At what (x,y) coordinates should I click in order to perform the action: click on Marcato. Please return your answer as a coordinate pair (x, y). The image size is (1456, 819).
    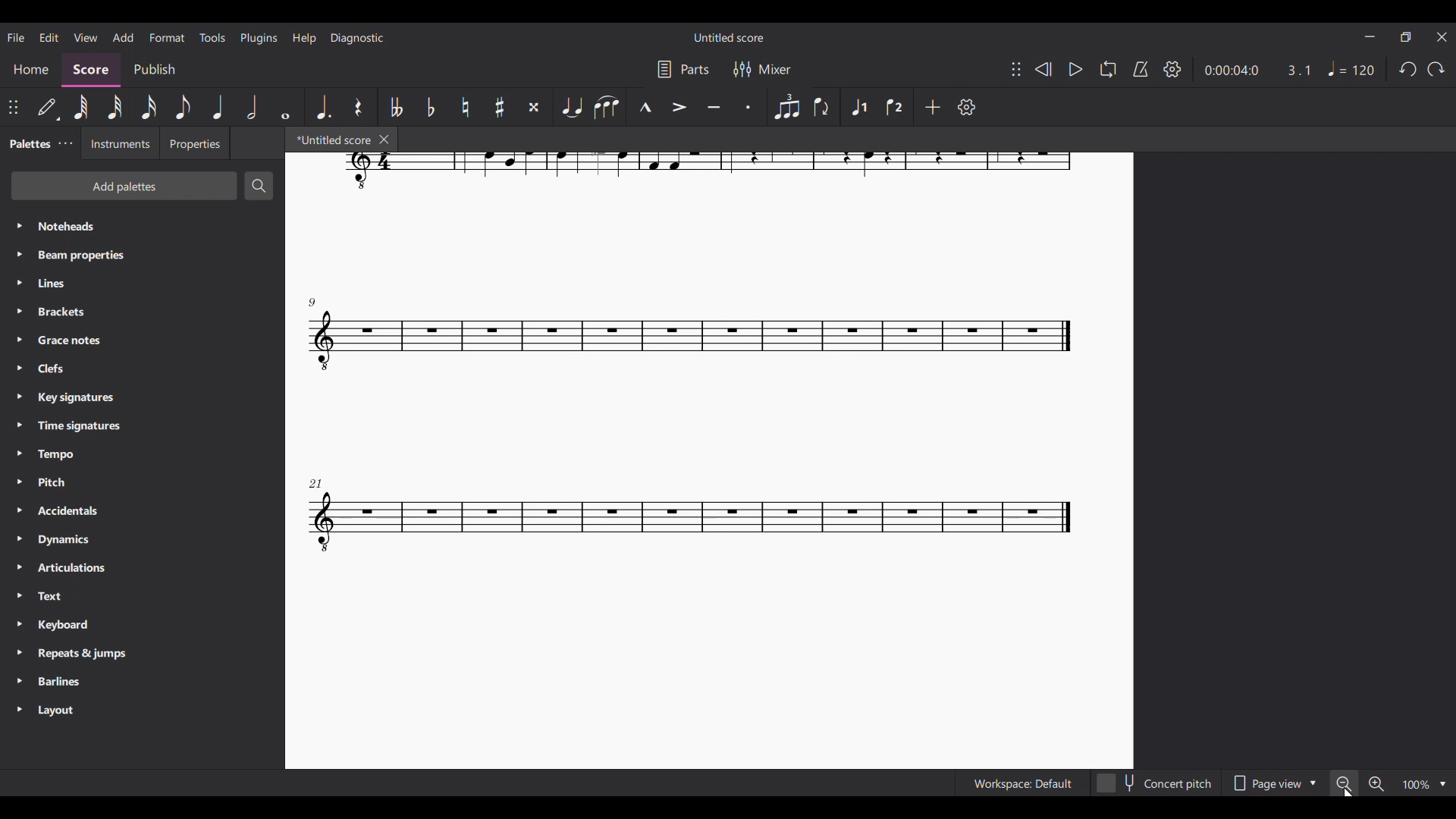
    Looking at the image, I should click on (645, 107).